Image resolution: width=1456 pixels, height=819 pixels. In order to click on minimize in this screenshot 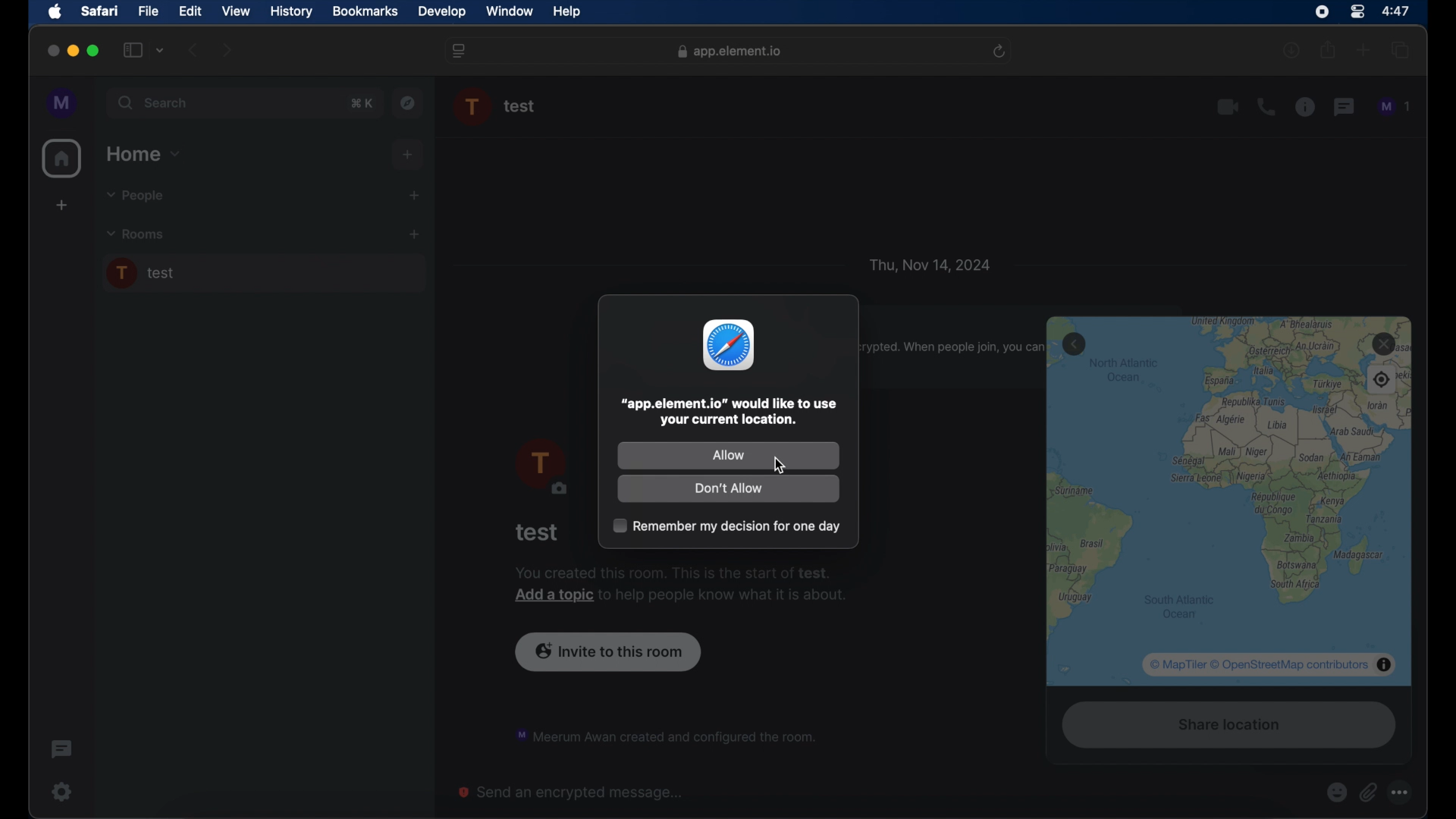, I will do `click(73, 51)`.